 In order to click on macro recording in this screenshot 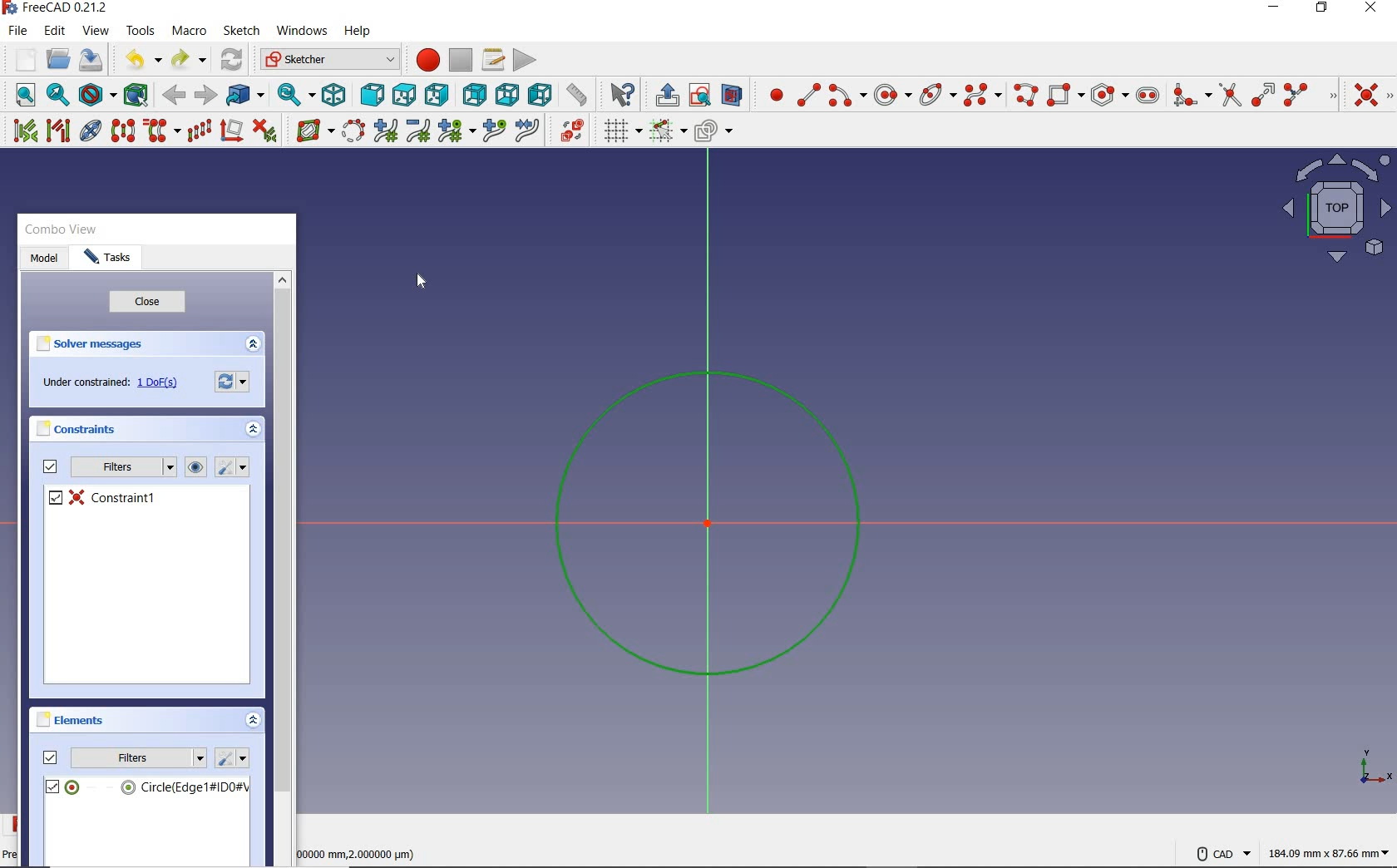, I will do `click(426, 59)`.